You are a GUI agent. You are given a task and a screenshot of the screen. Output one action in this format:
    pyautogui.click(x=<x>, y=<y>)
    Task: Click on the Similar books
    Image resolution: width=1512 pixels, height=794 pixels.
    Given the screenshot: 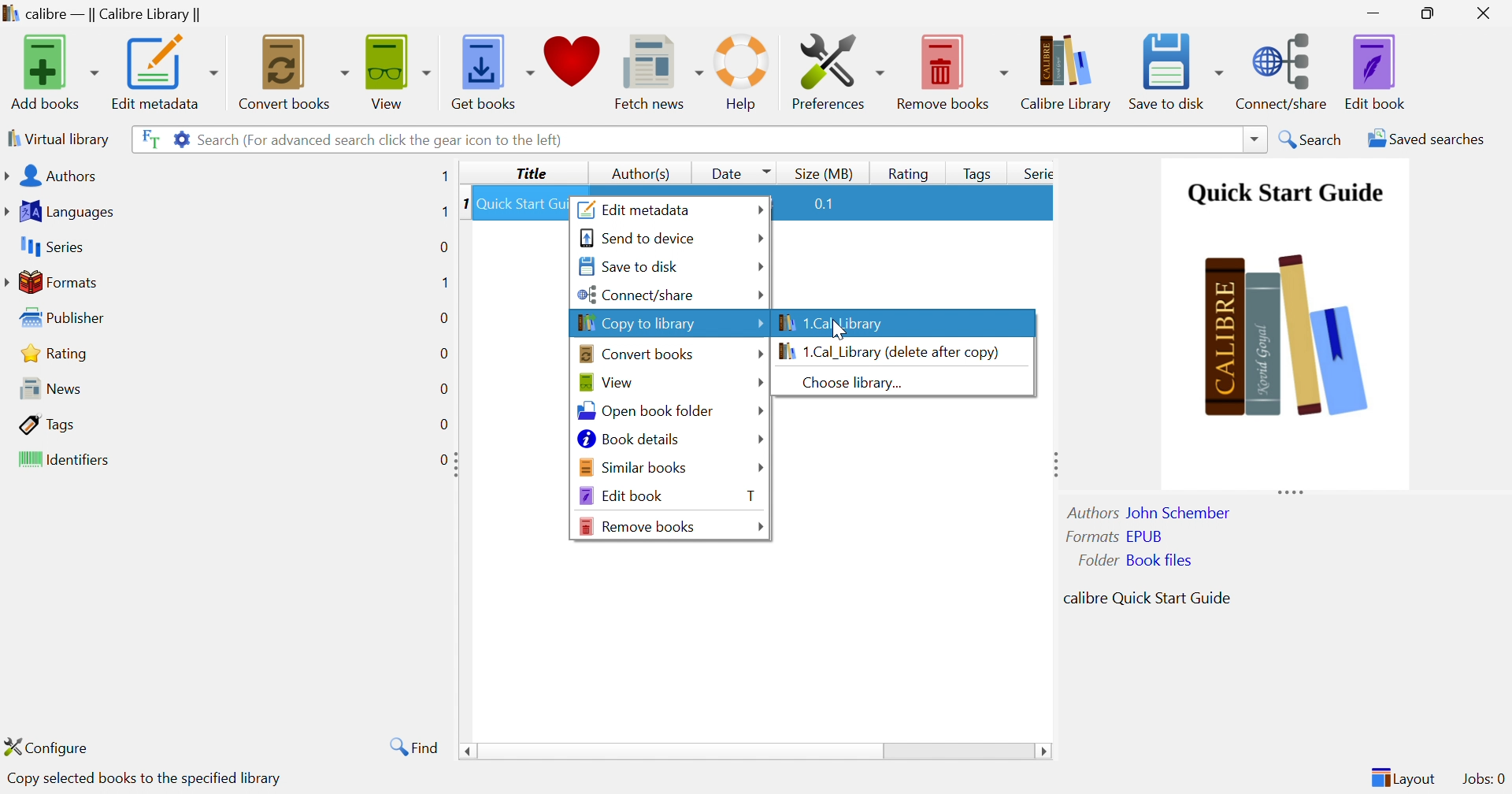 What is the action you would take?
    pyautogui.click(x=633, y=466)
    